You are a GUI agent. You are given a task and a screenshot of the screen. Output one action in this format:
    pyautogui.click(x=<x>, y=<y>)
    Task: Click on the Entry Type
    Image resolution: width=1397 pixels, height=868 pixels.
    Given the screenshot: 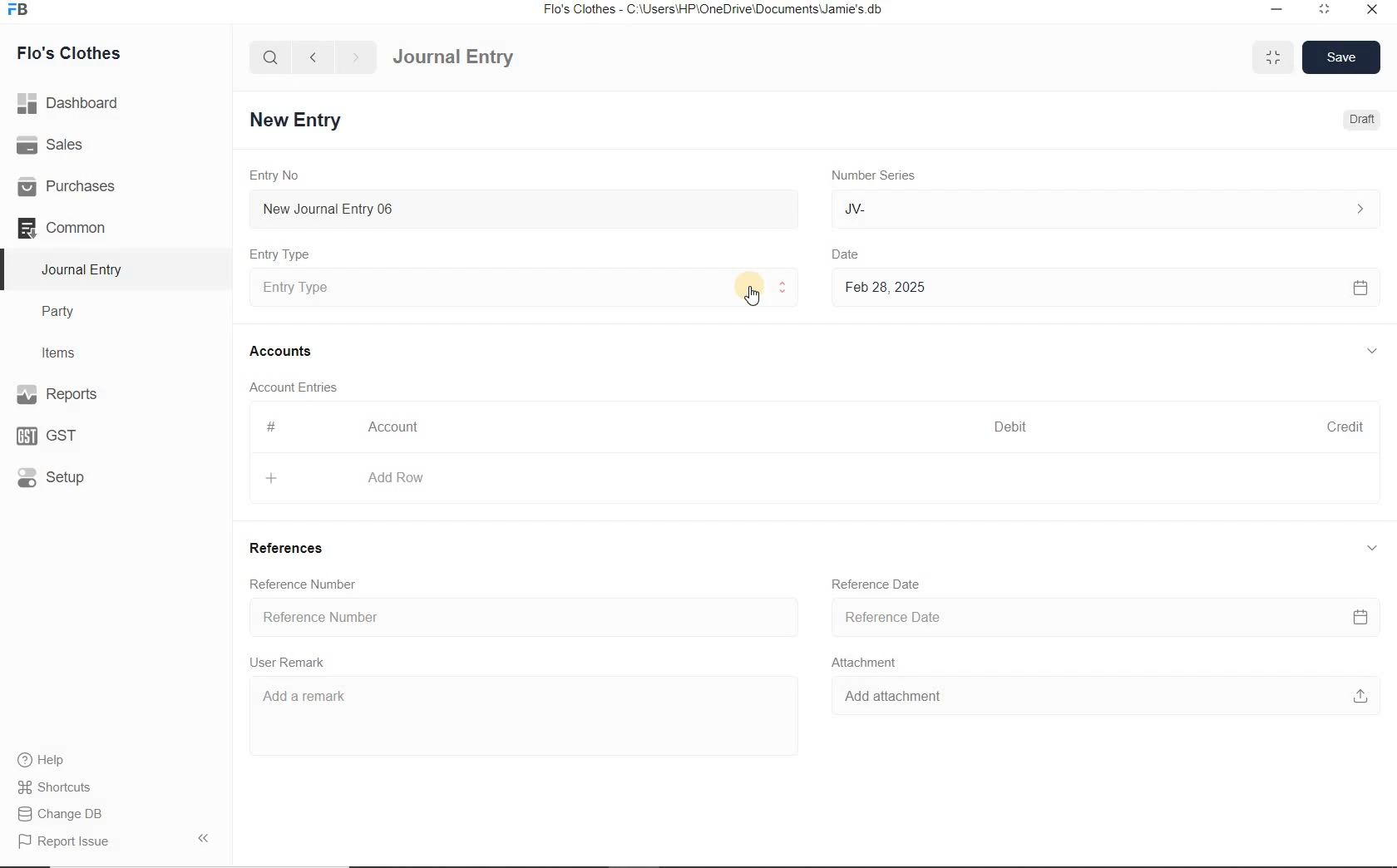 What is the action you would take?
    pyautogui.click(x=285, y=254)
    